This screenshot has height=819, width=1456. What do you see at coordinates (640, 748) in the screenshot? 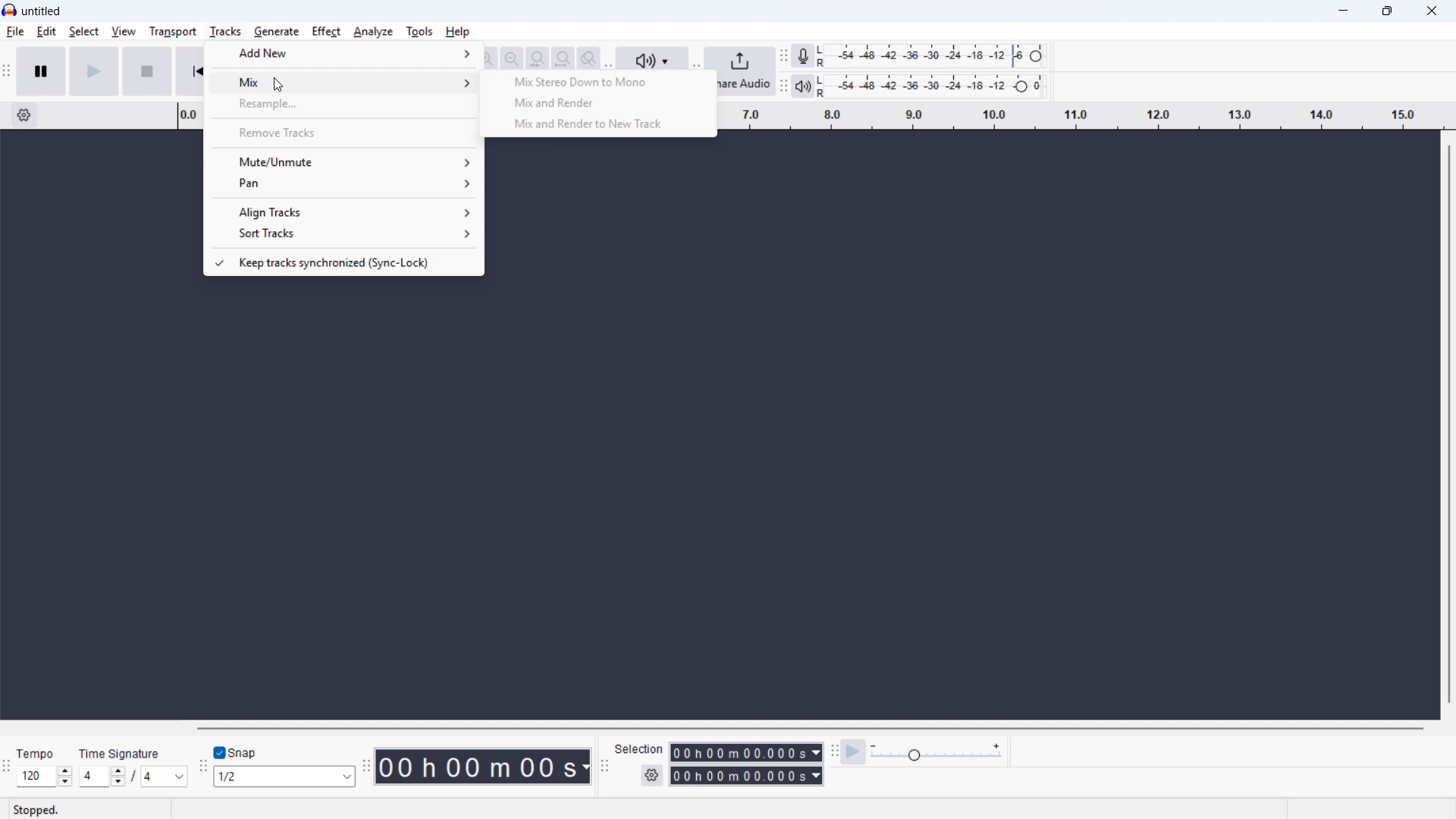
I see `selection` at bounding box center [640, 748].